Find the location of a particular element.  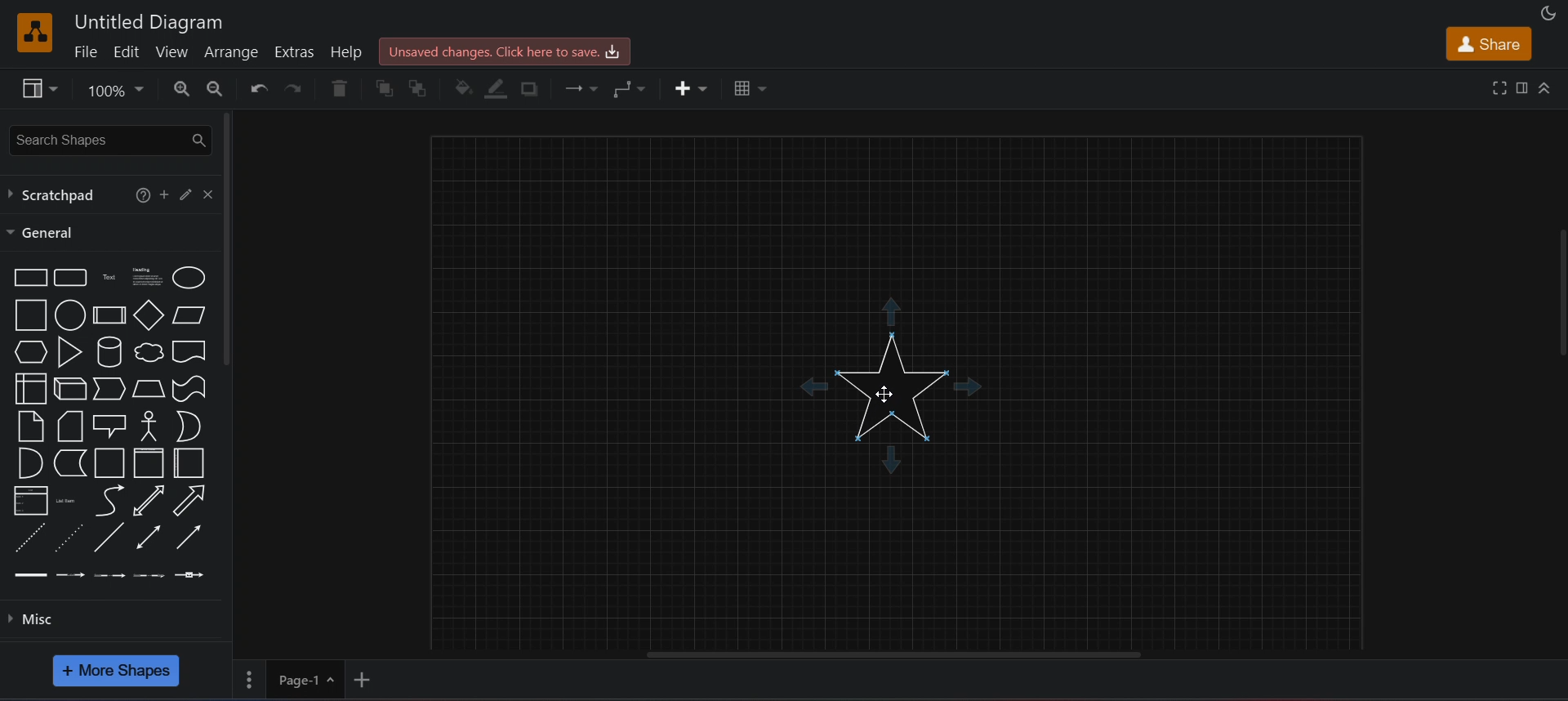

undo is located at coordinates (252, 87).